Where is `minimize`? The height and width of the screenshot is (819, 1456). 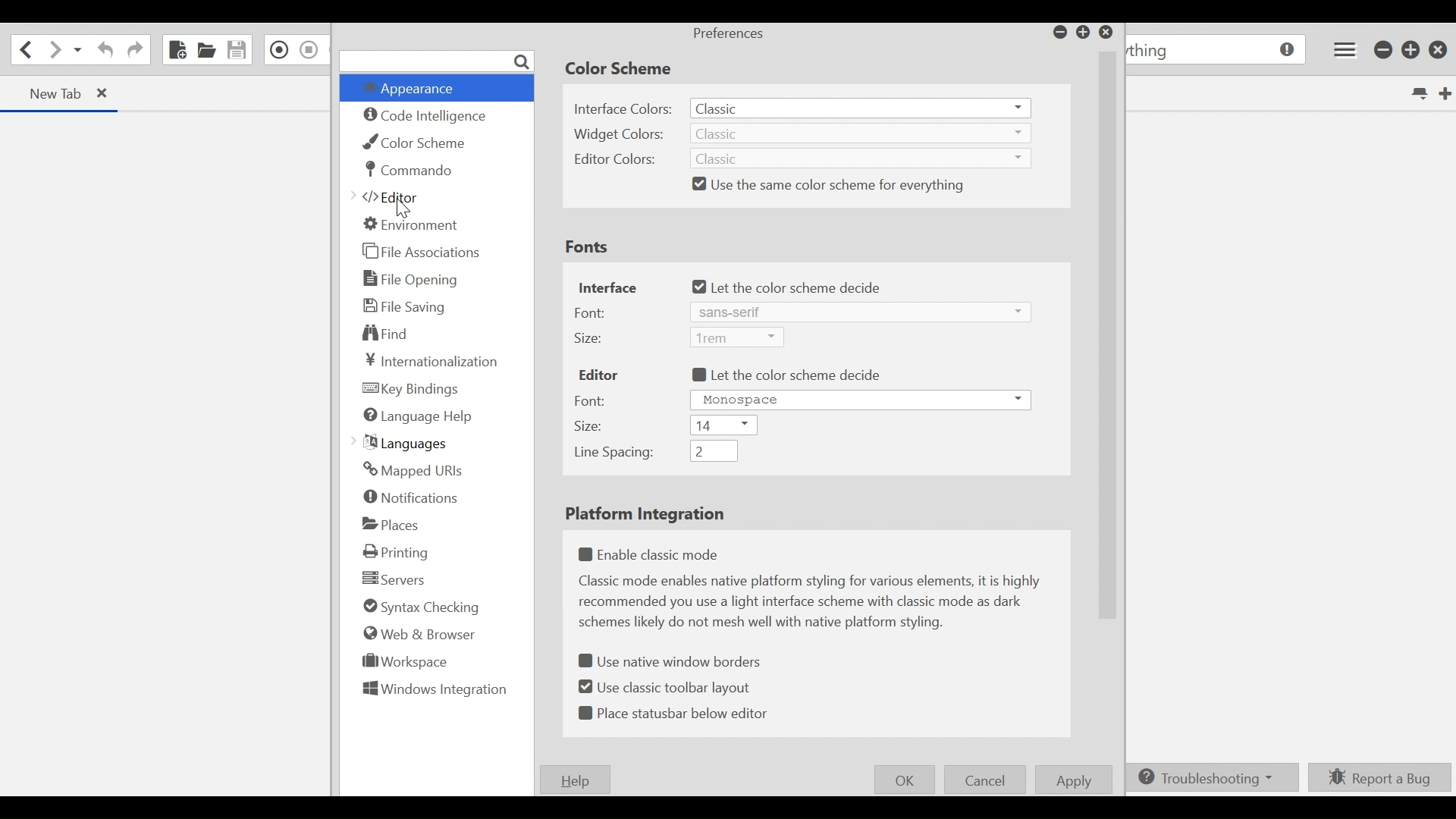 minimize is located at coordinates (1385, 50).